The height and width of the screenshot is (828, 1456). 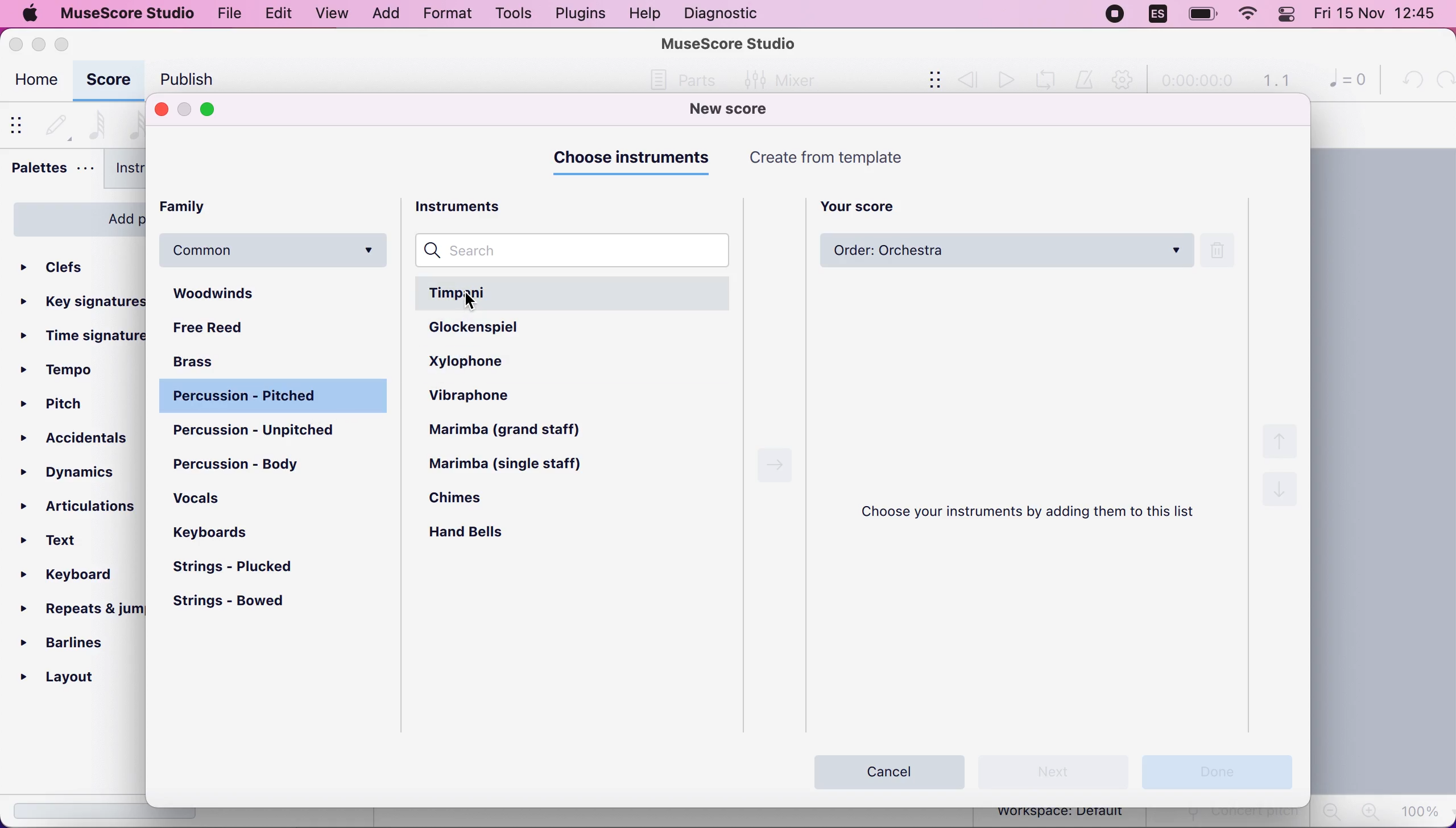 What do you see at coordinates (1225, 251) in the screenshot?
I see `delete` at bounding box center [1225, 251].